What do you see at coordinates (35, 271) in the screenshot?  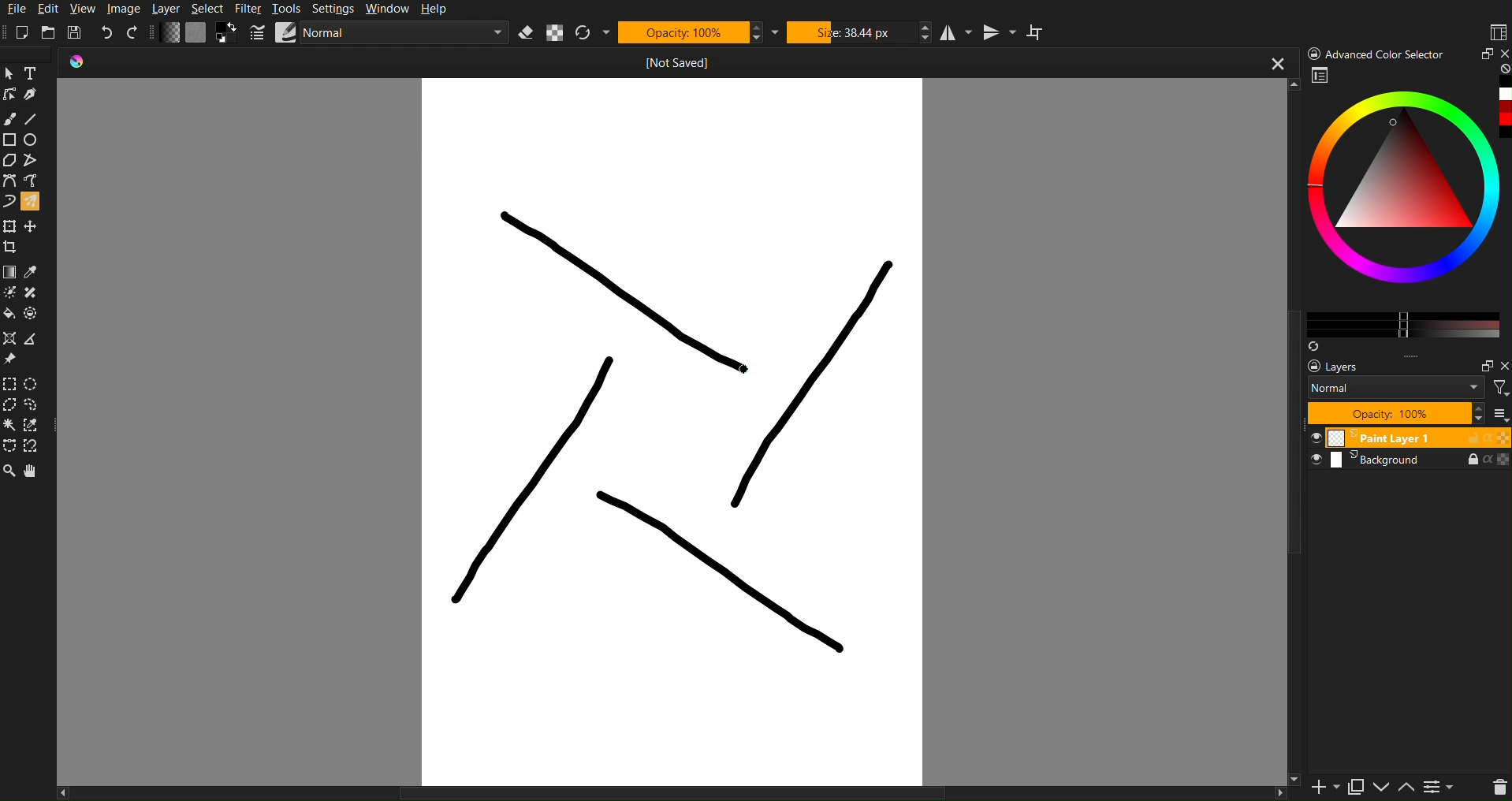 I see `Color Picker` at bounding box center [35, 271].